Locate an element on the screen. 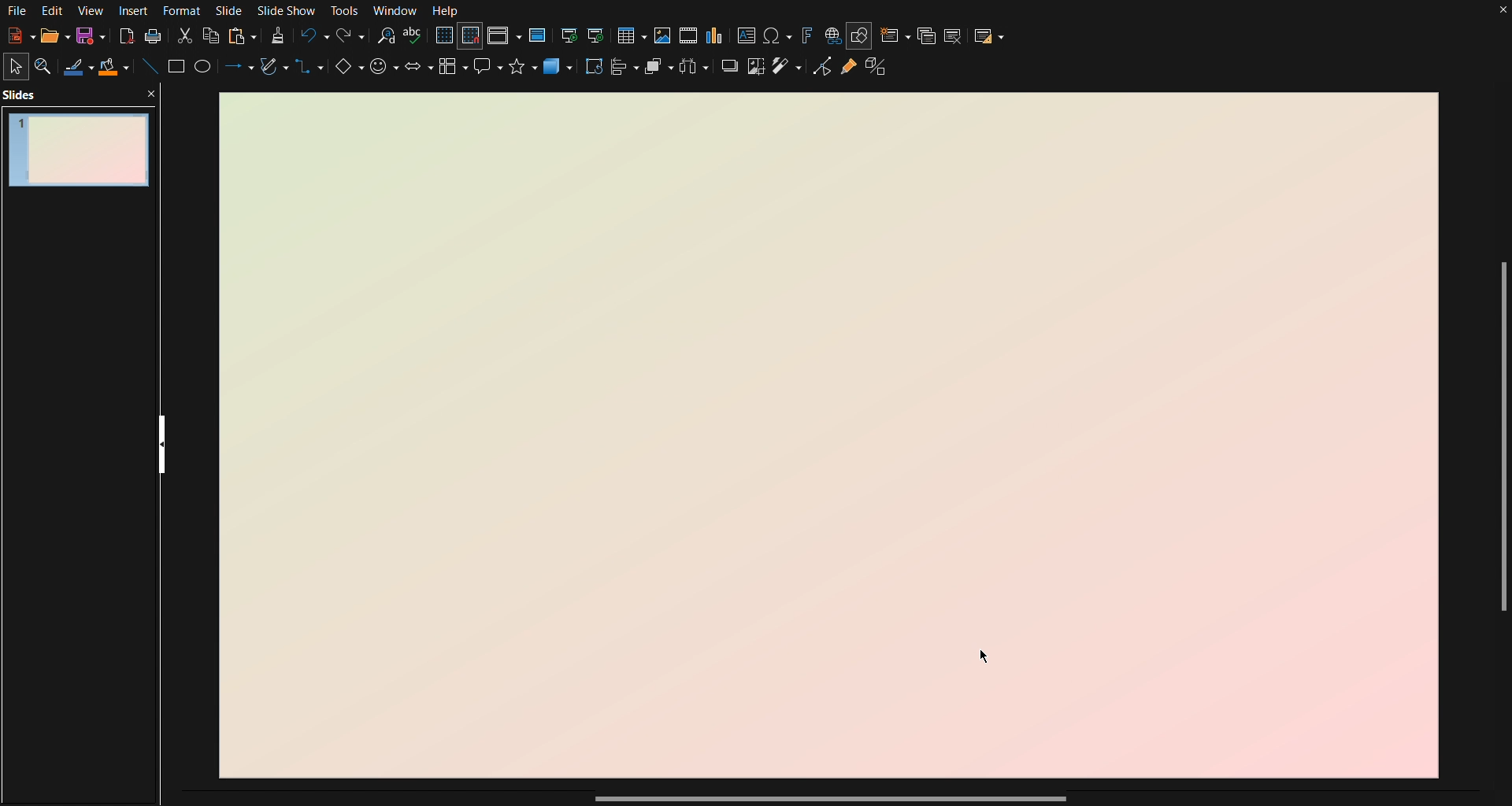  Distribute Objects is located at coordinates (696, 71).